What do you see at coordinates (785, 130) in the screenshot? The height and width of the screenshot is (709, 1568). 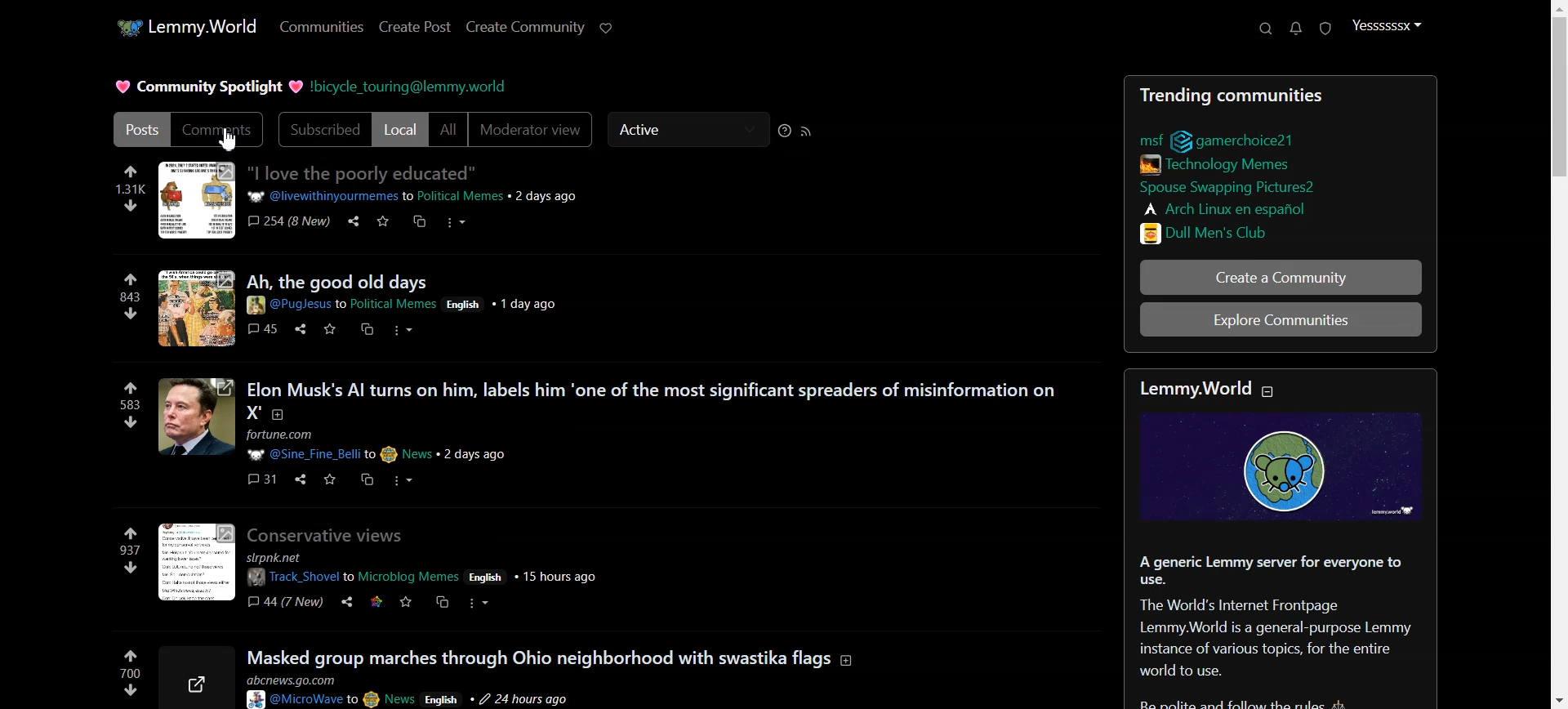 I see `Sorting help` at bounding box center [785, 130].